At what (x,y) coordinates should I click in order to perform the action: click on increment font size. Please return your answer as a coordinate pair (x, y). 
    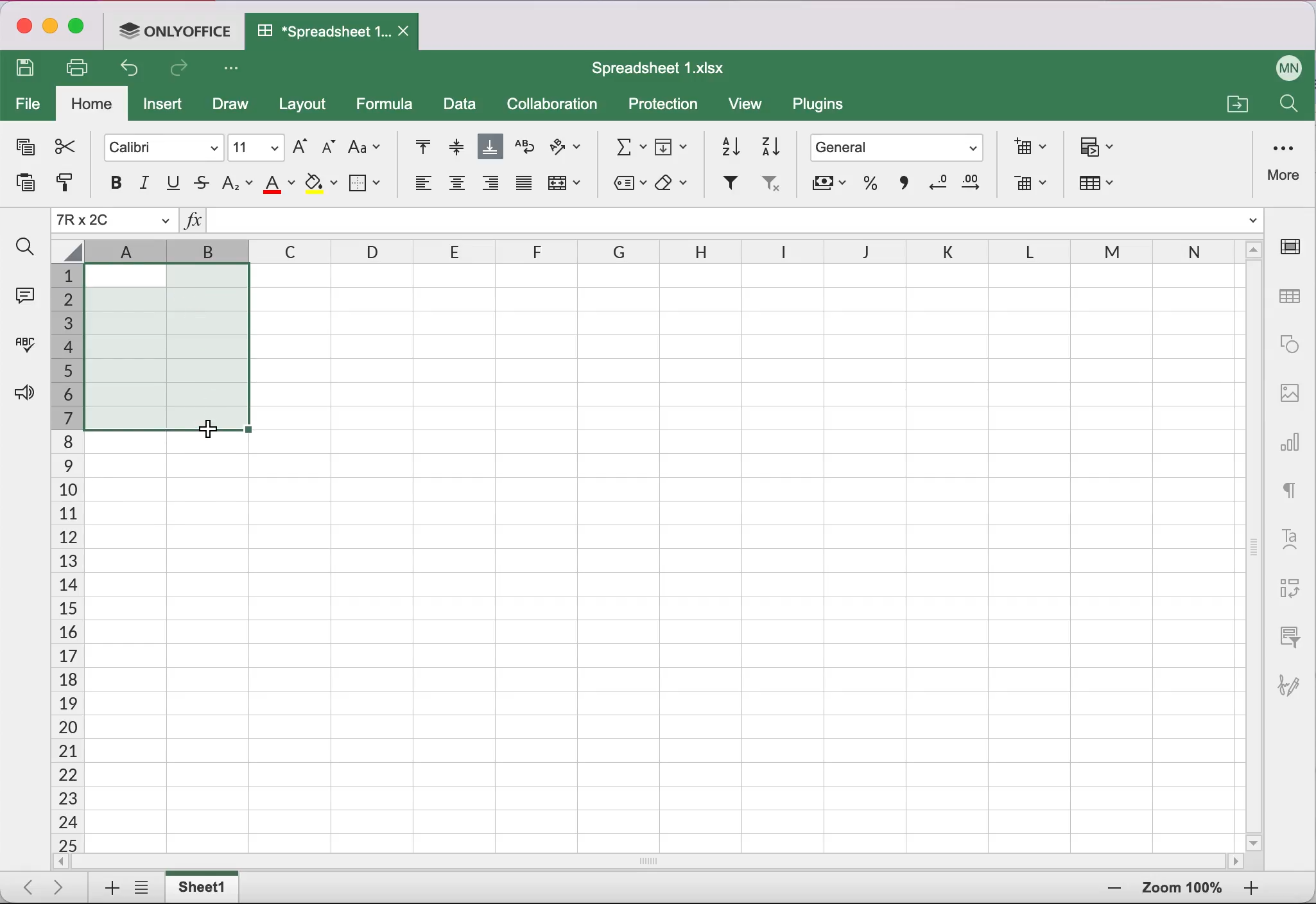
    Looking at the image, I should click on (299, 146).